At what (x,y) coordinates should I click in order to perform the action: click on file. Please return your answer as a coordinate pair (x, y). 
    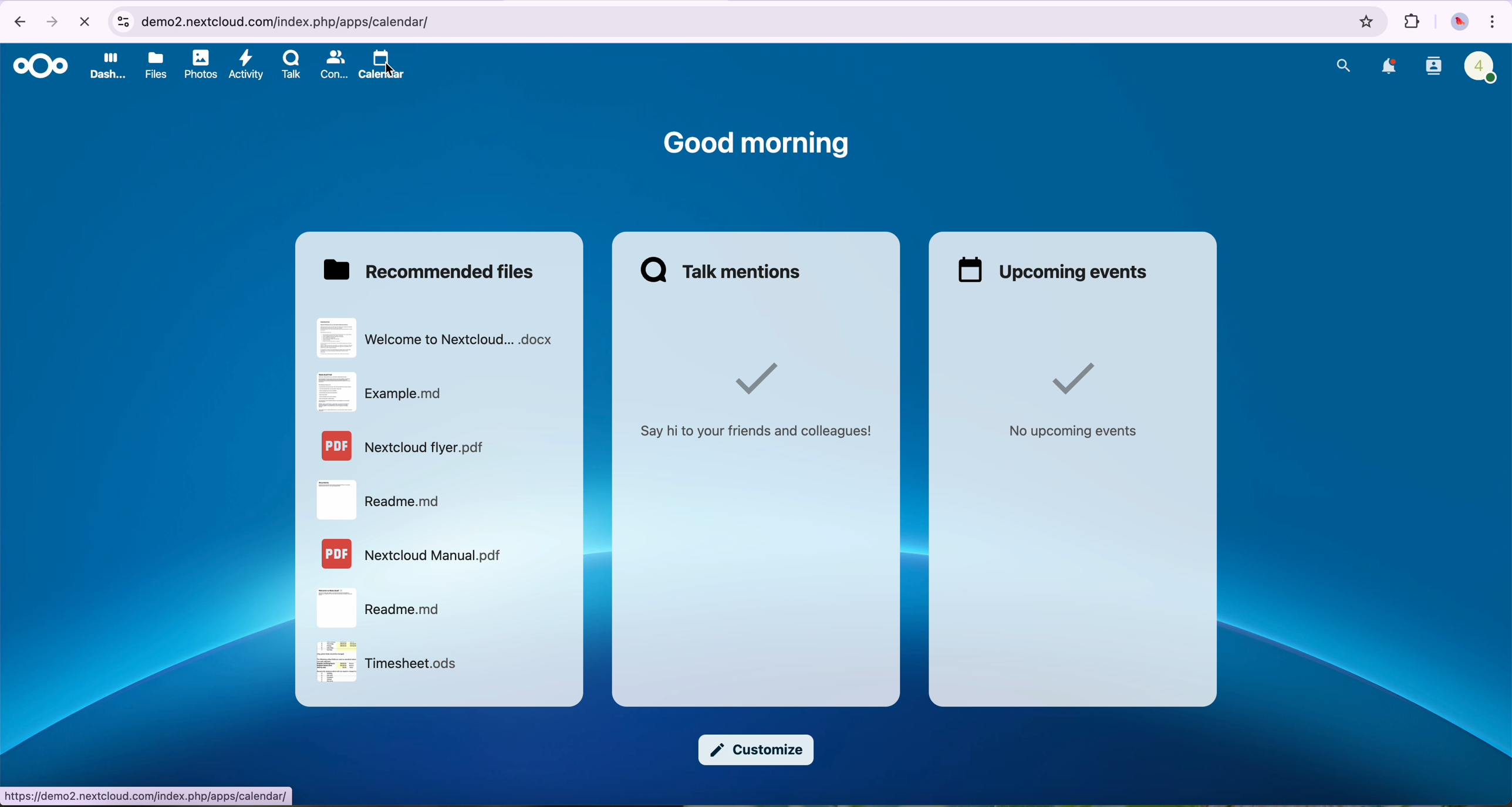
    Looking at the image, I should click on (416, 554).